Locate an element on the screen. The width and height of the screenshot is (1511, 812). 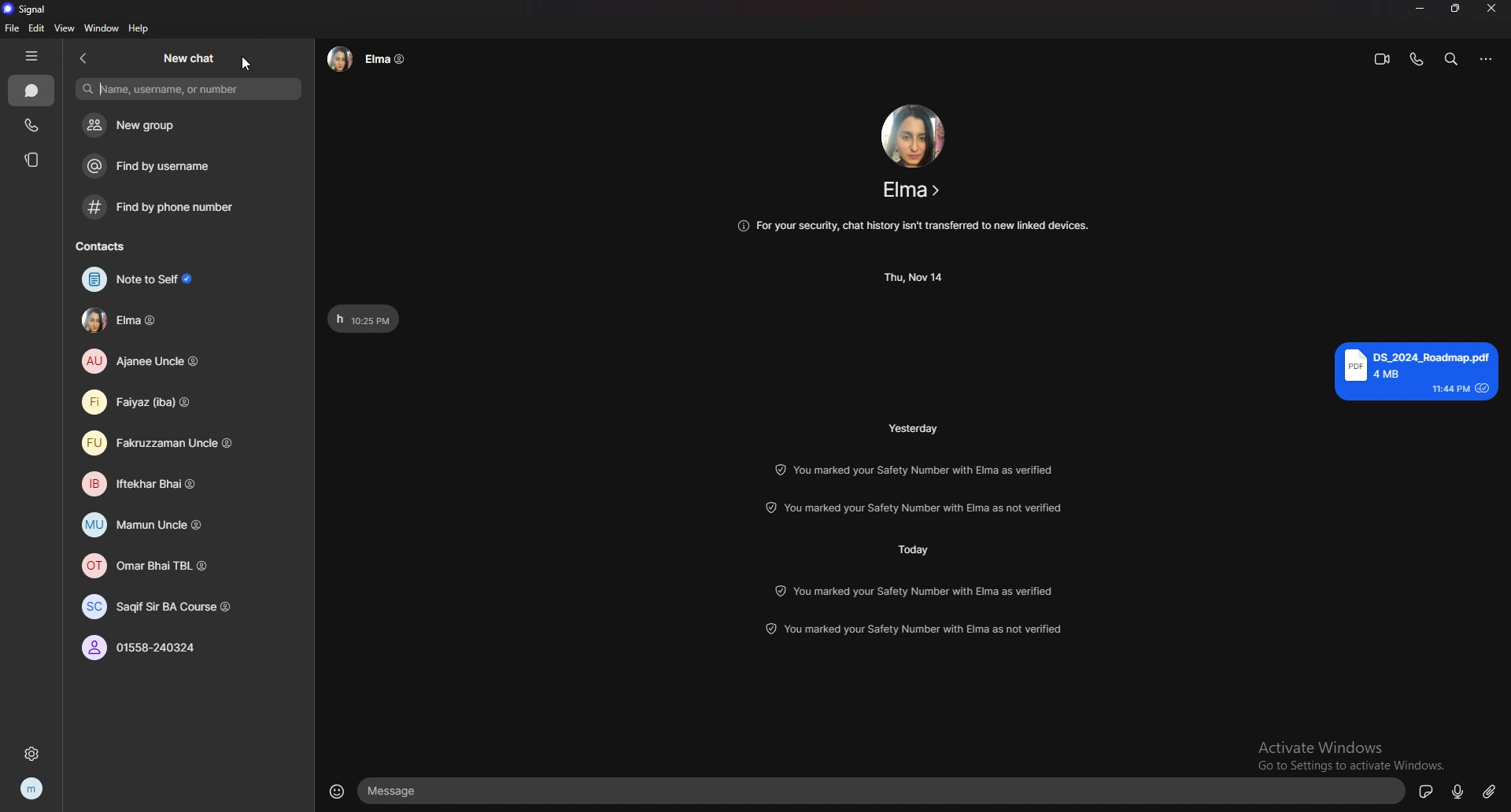
update is located at coordinates (922, 507).